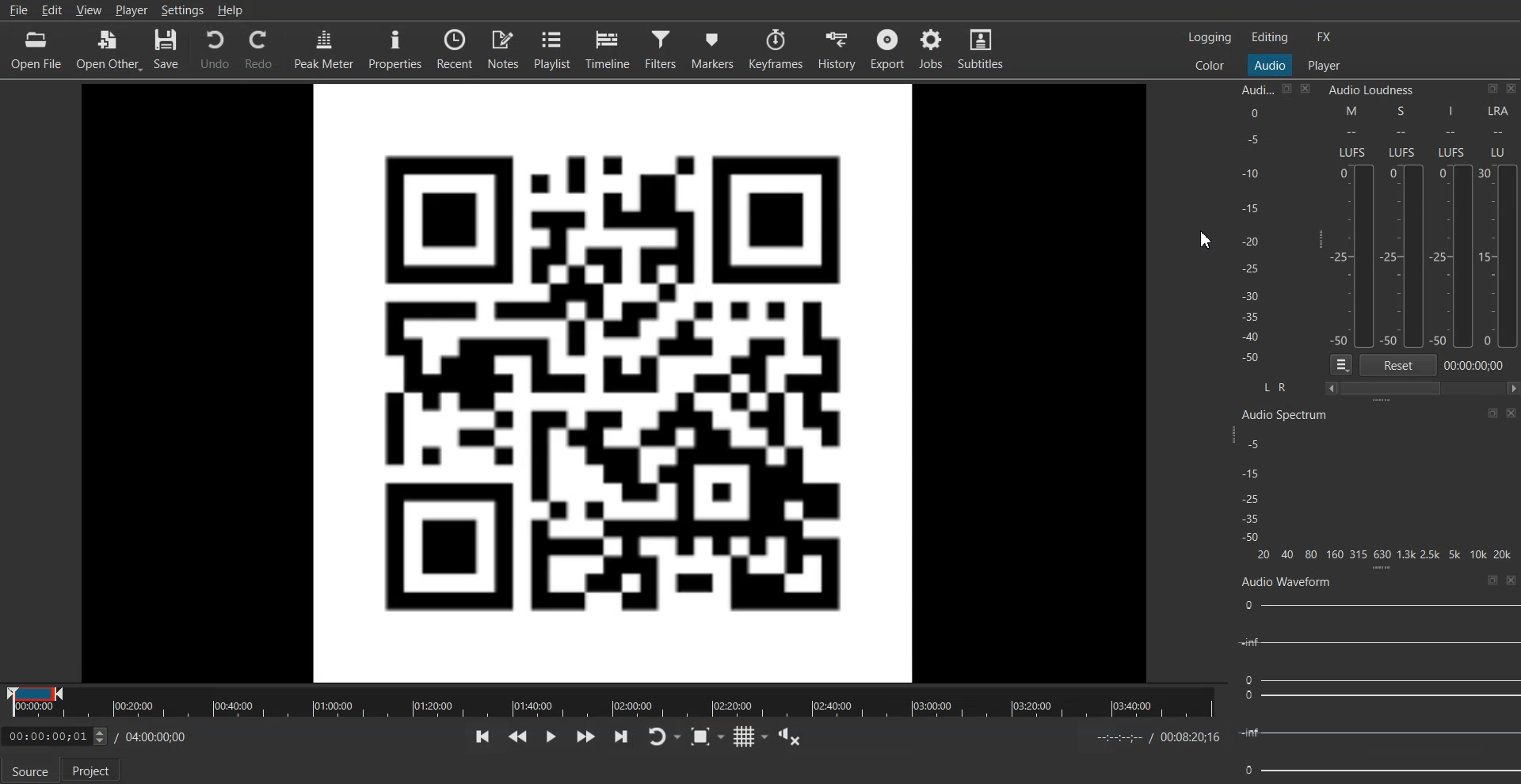  I want to click on Audio Spectrum in dB, so click(1381, 498).